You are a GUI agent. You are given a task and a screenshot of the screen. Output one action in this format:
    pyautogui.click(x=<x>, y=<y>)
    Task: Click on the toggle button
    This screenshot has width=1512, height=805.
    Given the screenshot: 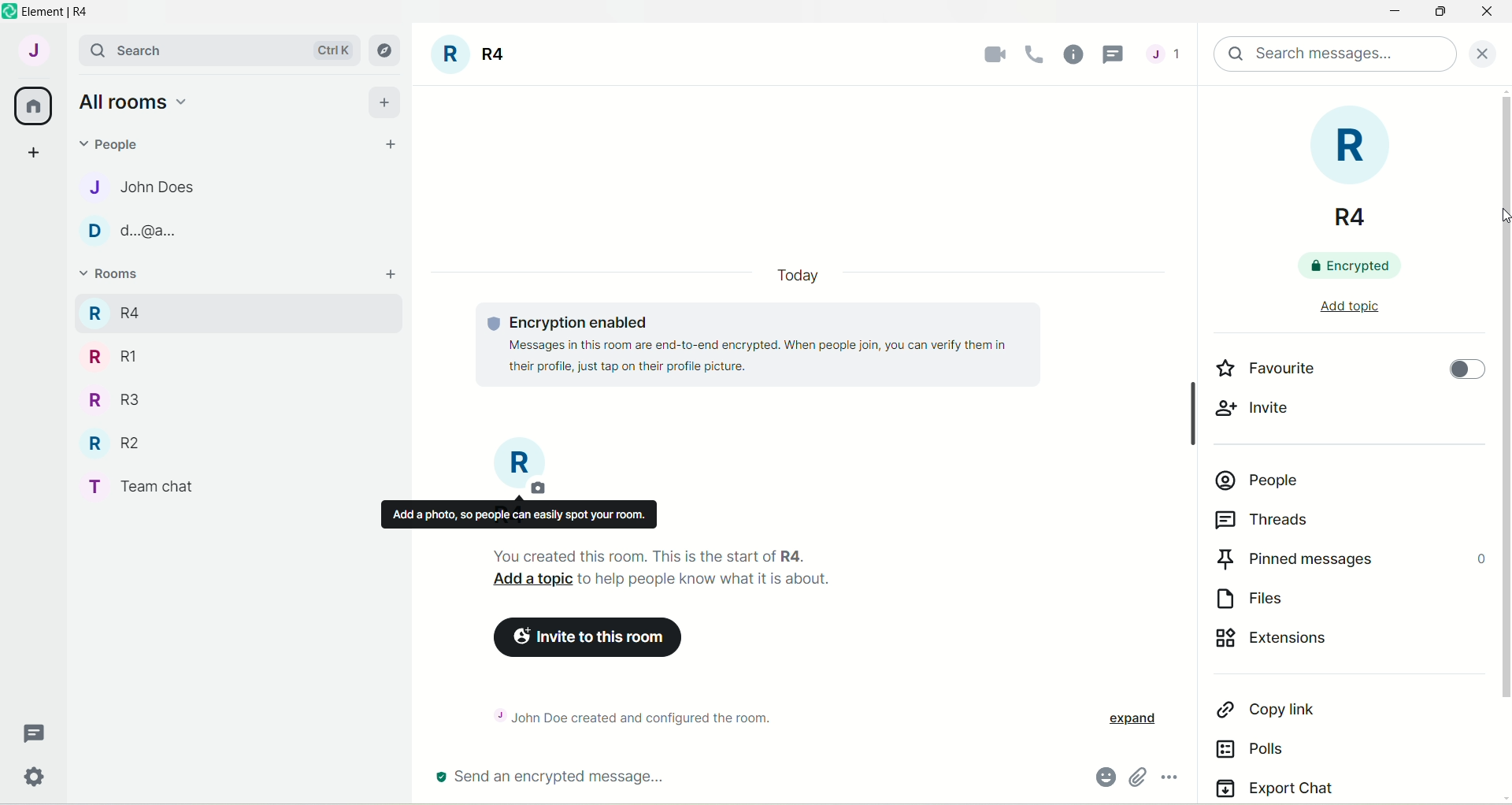 What is the action you would take?
    pyautogui.click(x=1467, y=372)
    